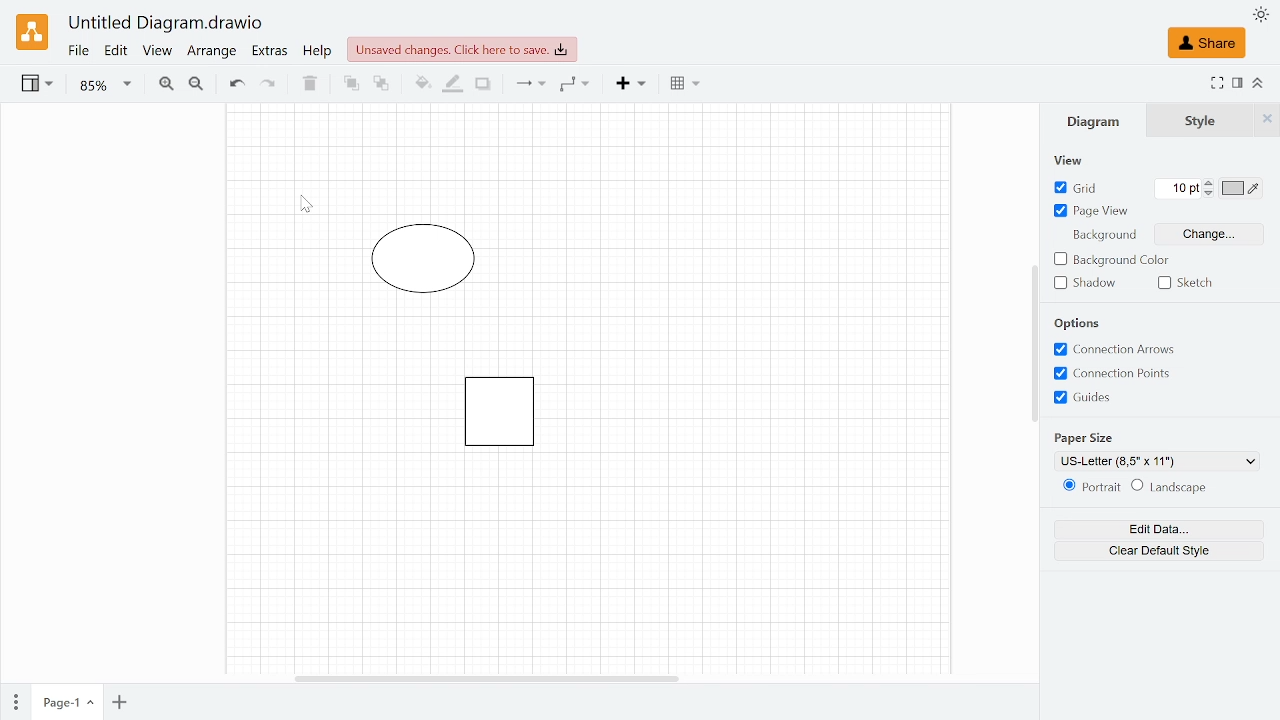  Describe the element at coordinates (1193, 282) in the screenshot. I see `Sketch` at that location.